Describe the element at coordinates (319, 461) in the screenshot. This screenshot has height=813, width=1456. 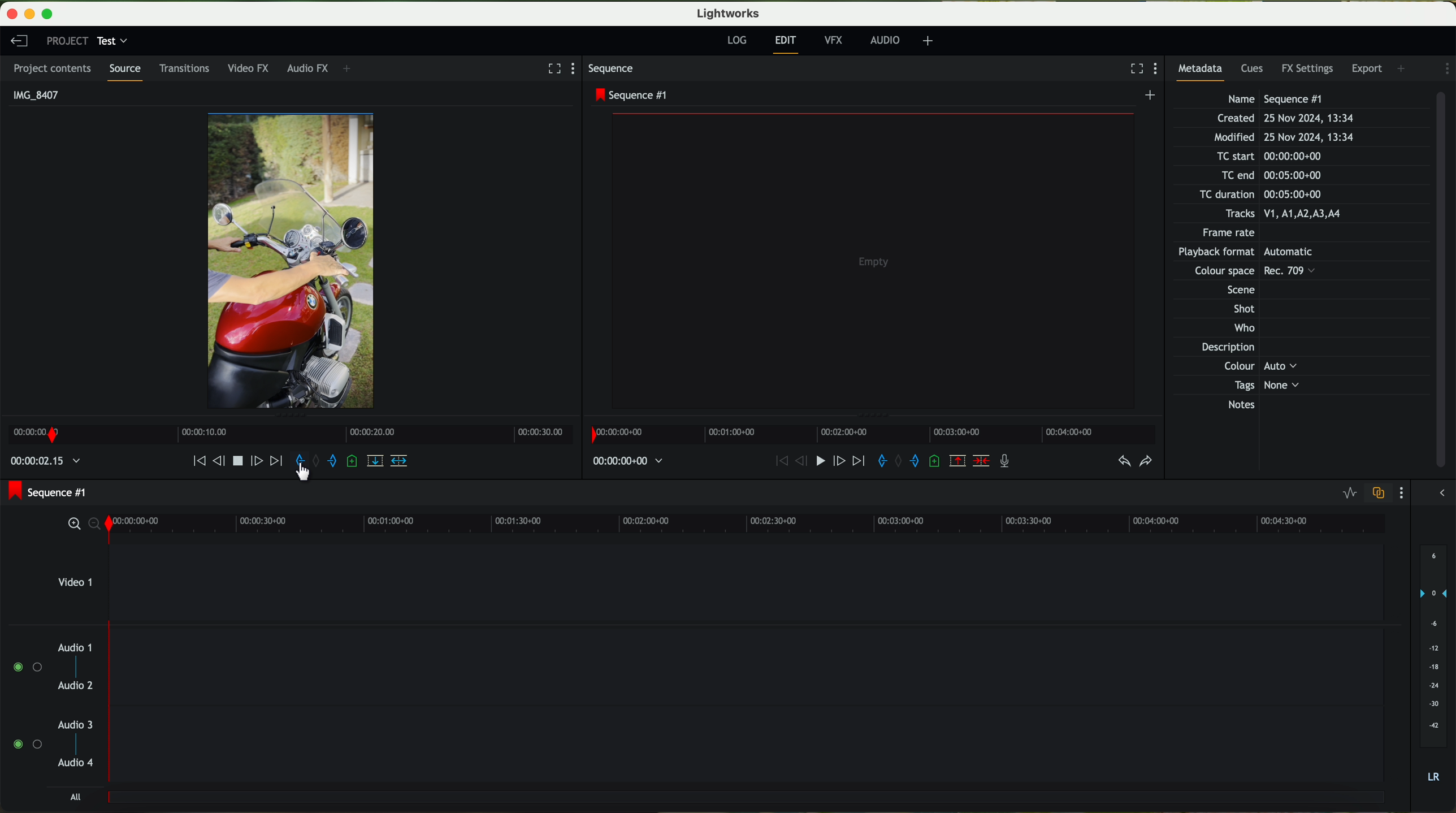
I see `clear marks` at that location.